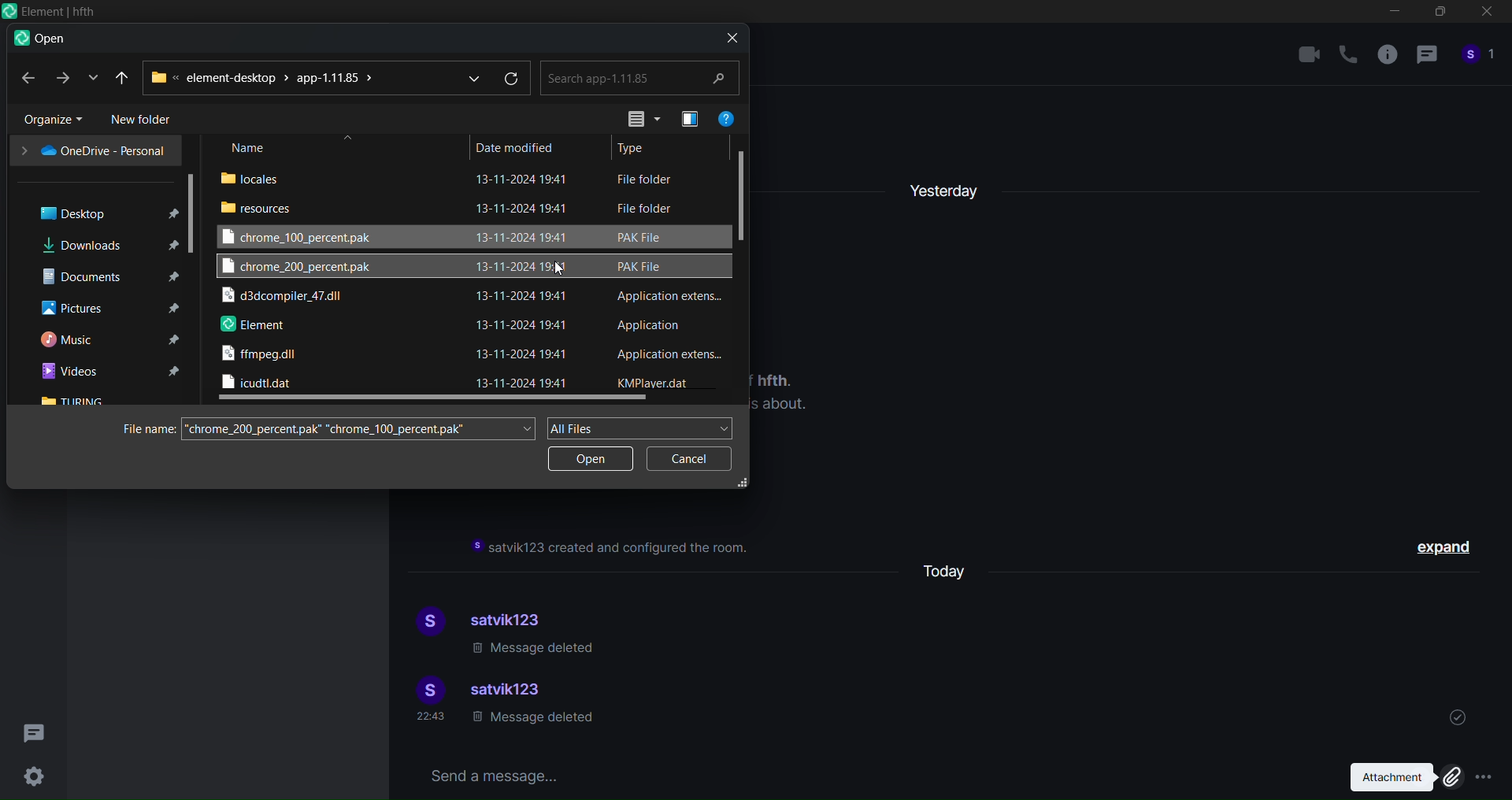  What do you see at coordinates (1400, 777) in the screenshot?
I see `attachment` at bounding box center [1400, 777].